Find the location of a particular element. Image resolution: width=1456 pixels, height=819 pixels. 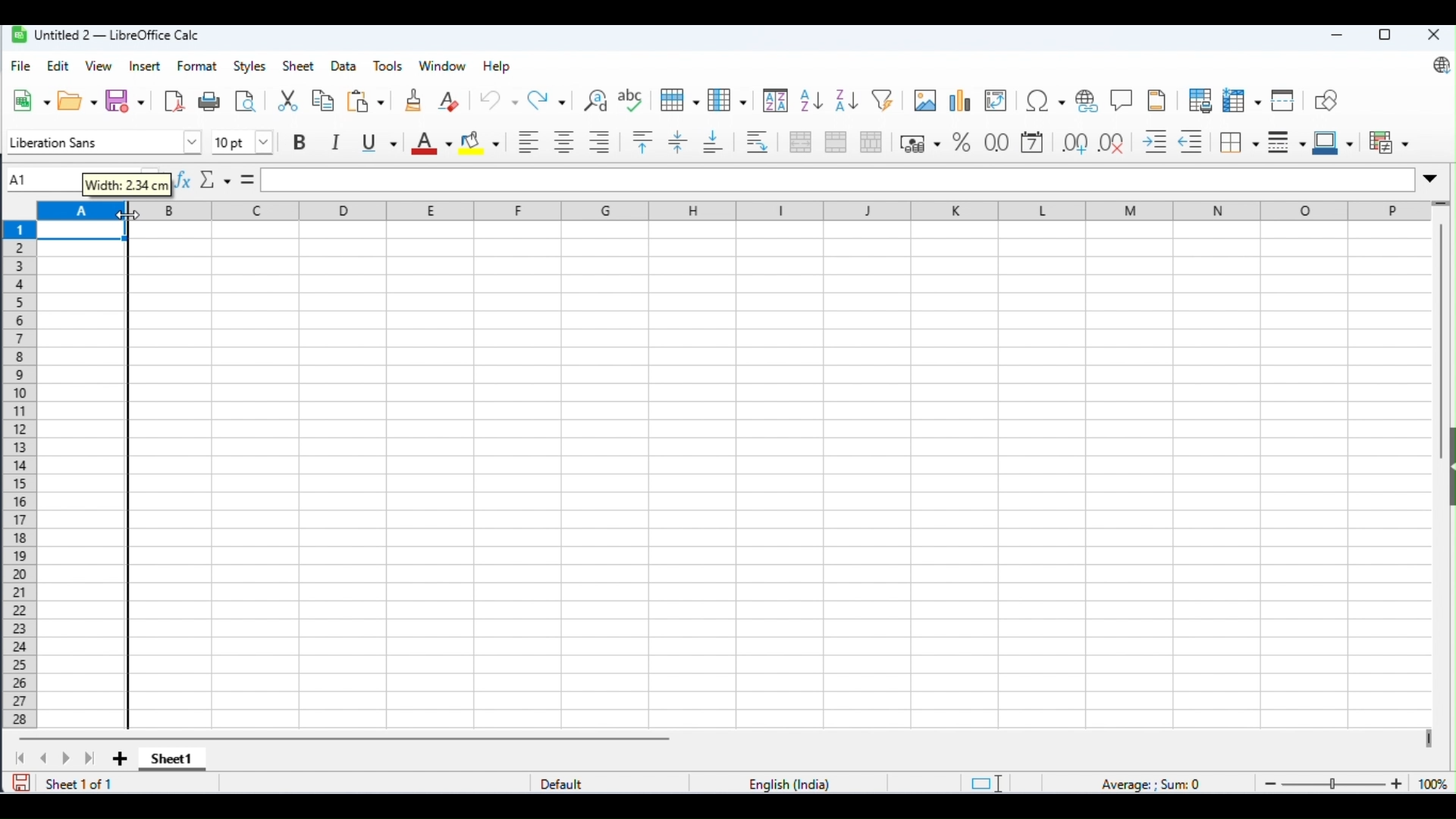

freeze rows and columns is located at coordinates (1242, 101).